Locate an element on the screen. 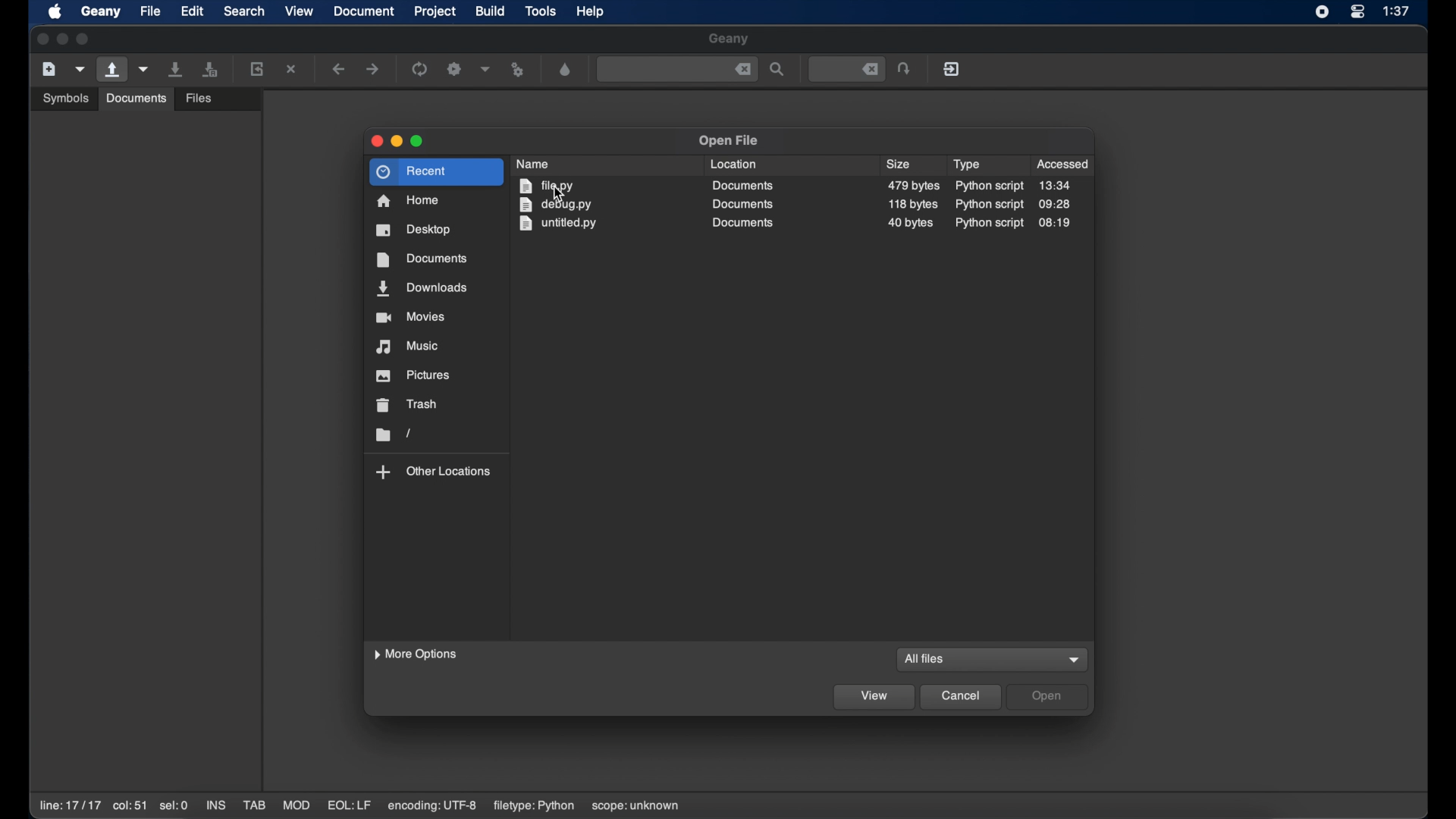 The height and width of the screenshot is (819, 1456). build the current file is located at coordinates (455, 68).